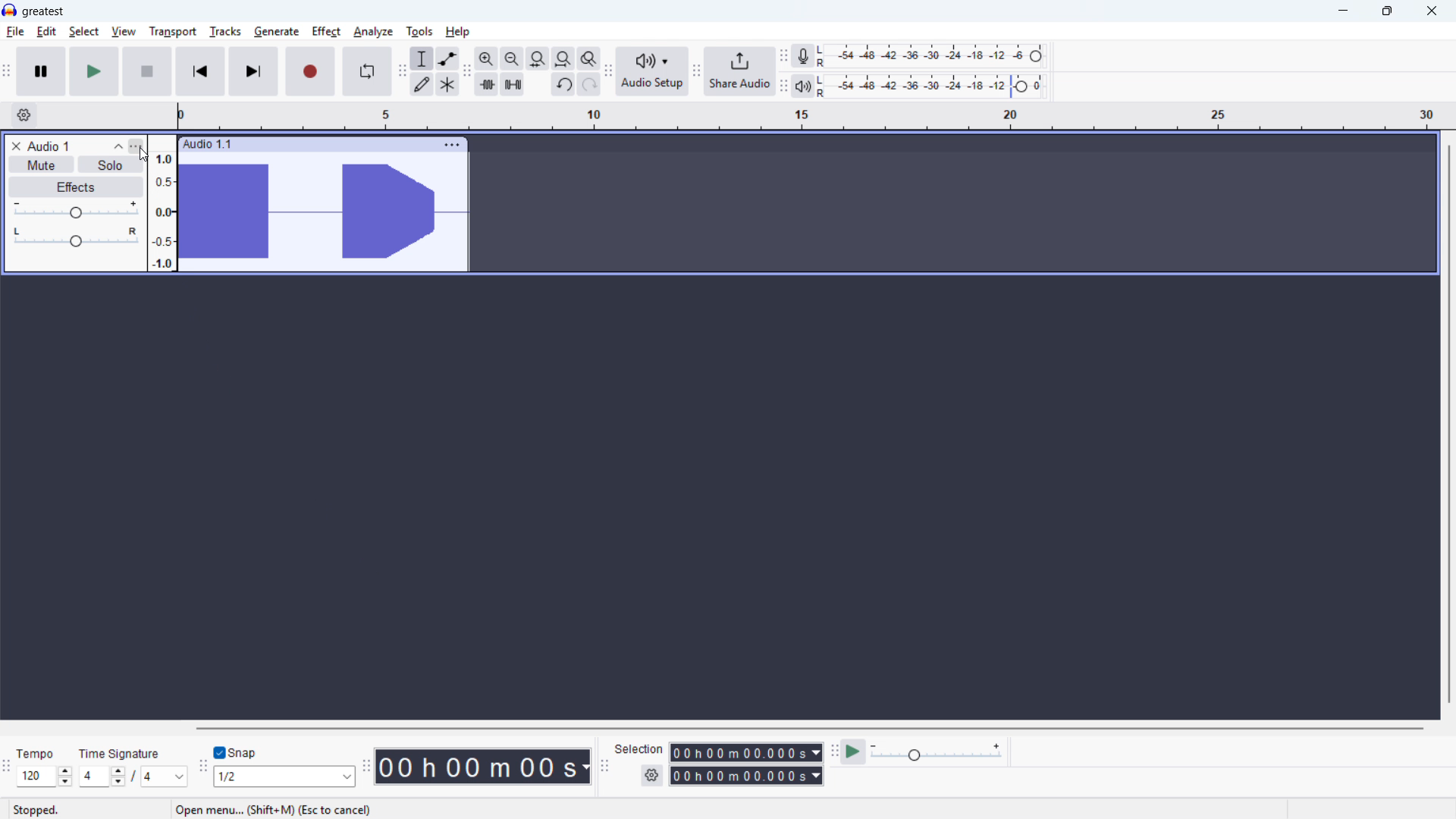 This screenshot has width=1456, height=819. What do you see at coordinates (422, 84) in the screenshot?
I see `draw tool` at bounding box center [422, 84].